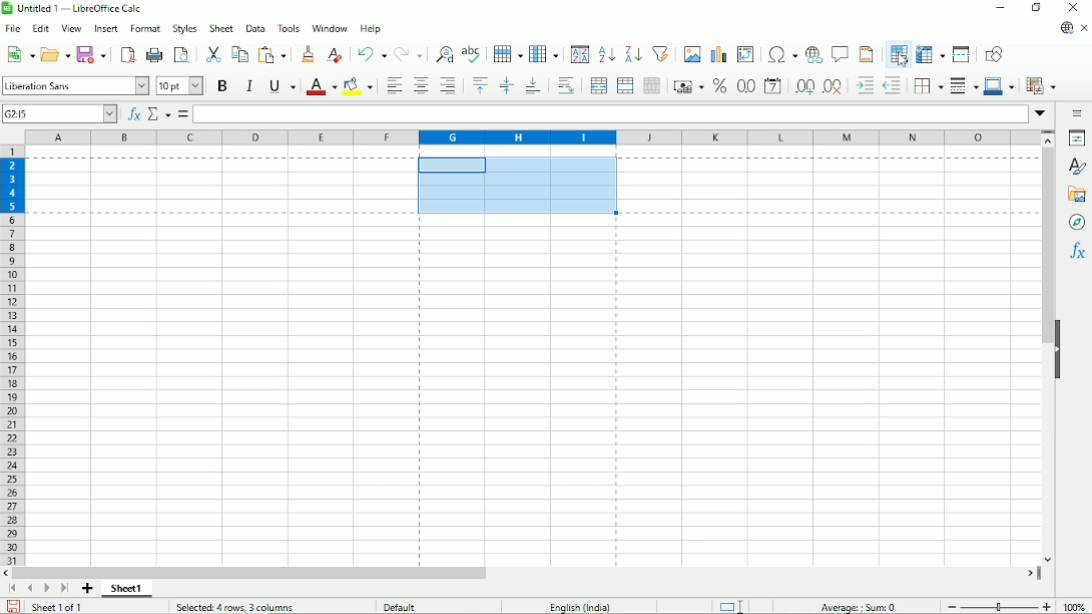 Image resolution: width=1092 pixels, height=614 pixels. I want to click on New, so click(19, 56).